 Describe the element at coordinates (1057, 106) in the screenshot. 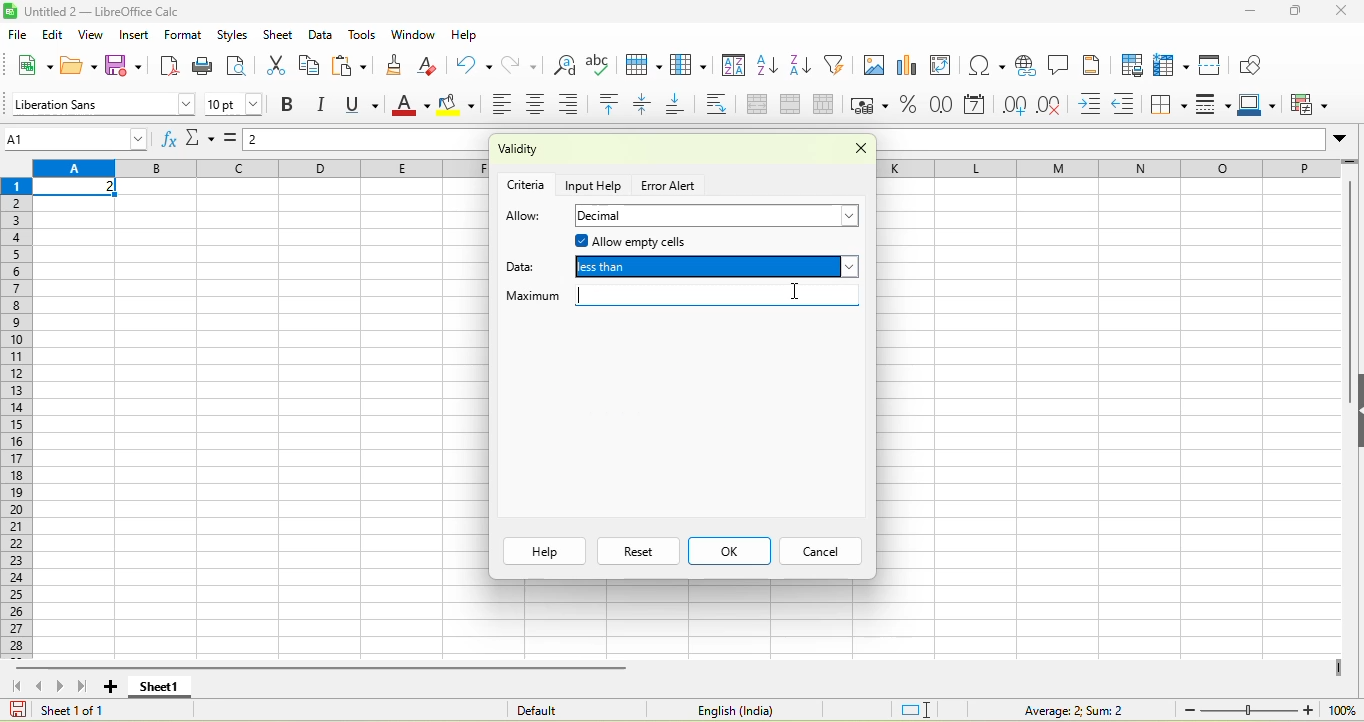

I see `delete decimal` at that location.